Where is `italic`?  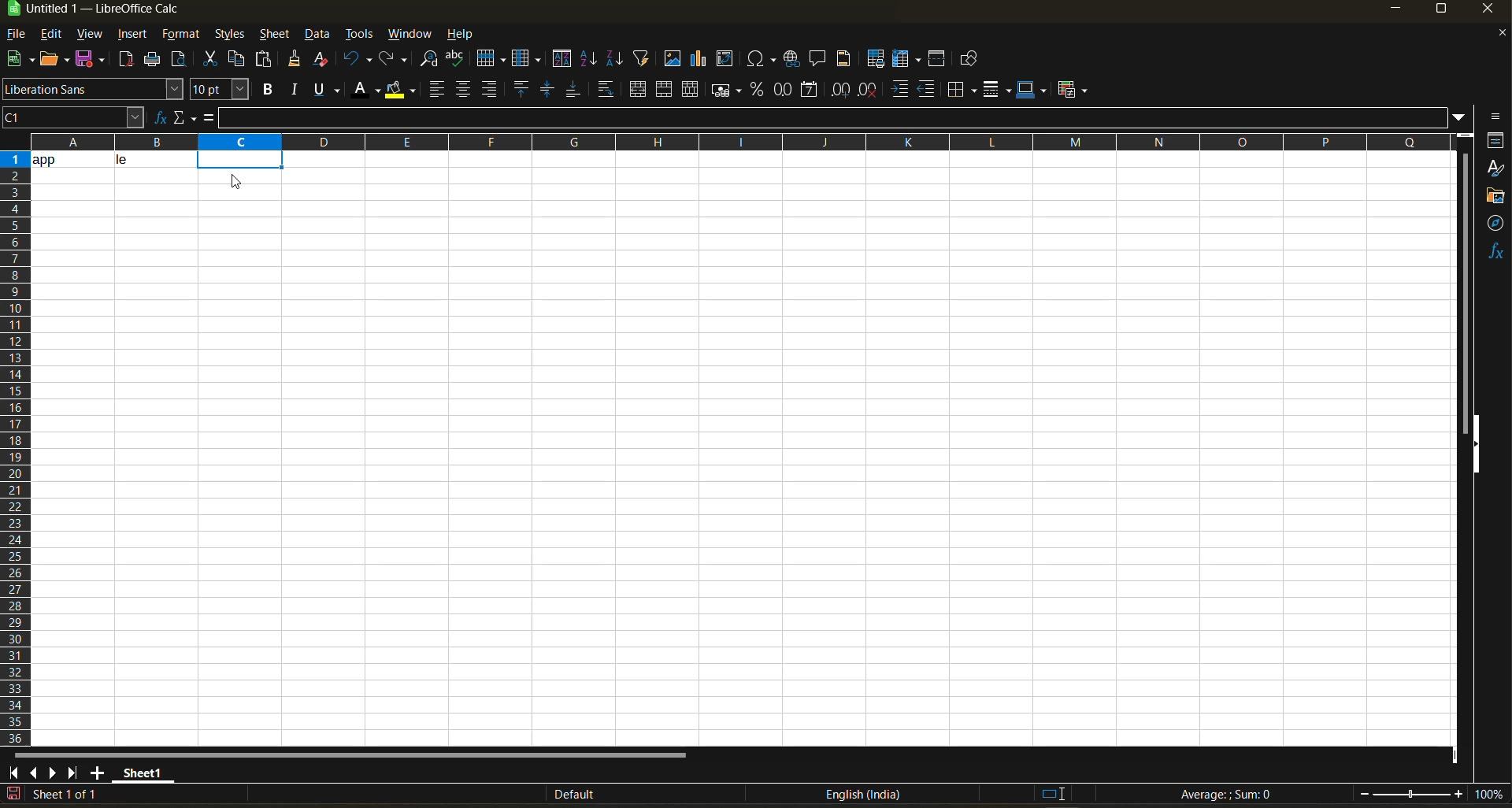
italic is located at coordinates (295, 90).